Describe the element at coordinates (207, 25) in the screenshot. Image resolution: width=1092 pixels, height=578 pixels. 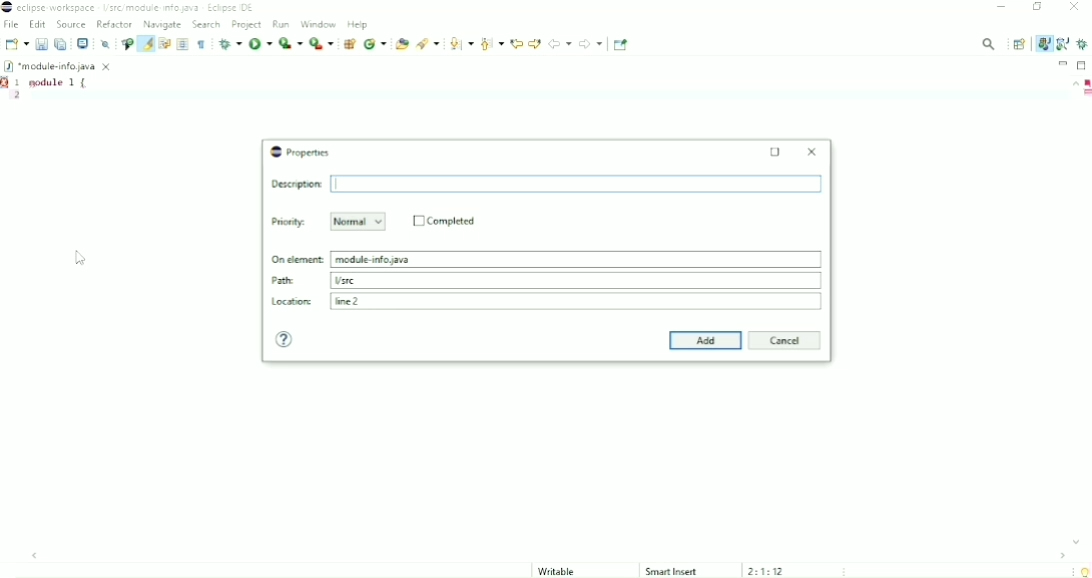
I see `Search` at that location.